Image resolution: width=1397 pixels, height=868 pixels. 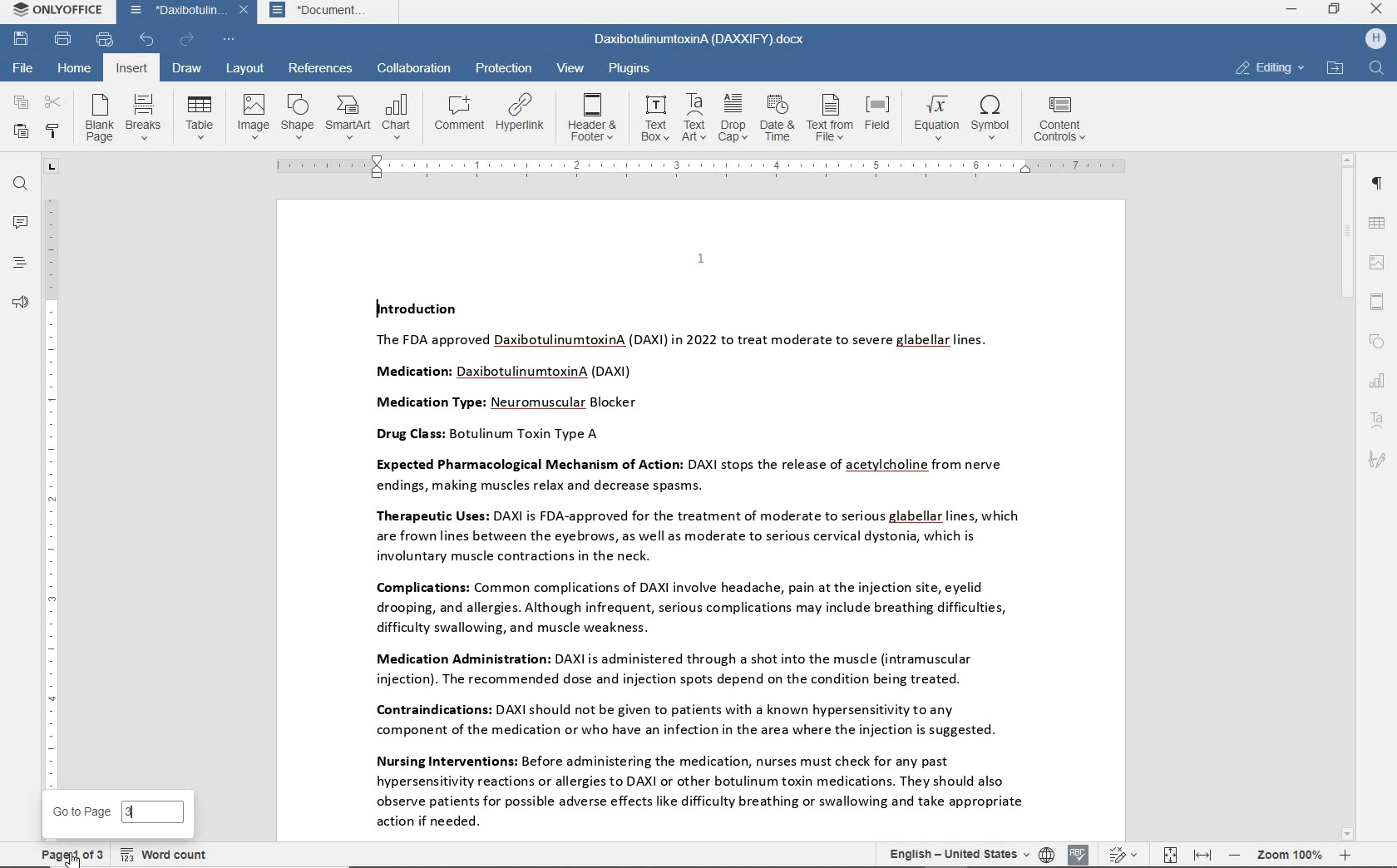 I want to click on spell checking, so click(x=1079, y=853).